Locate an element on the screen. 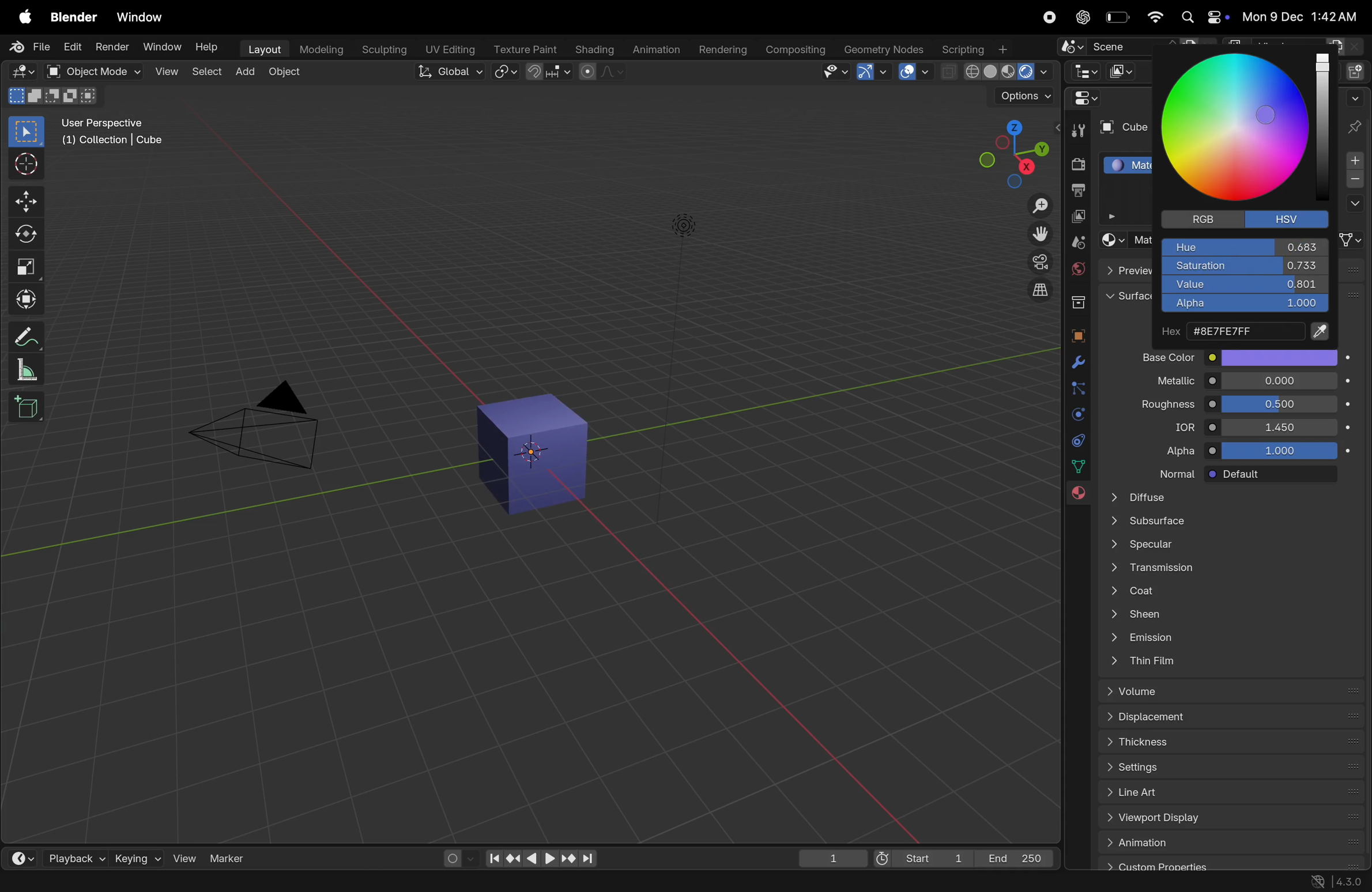 This screenshot has height=892, width=1372. object mode is located at coordinates (91, 71).